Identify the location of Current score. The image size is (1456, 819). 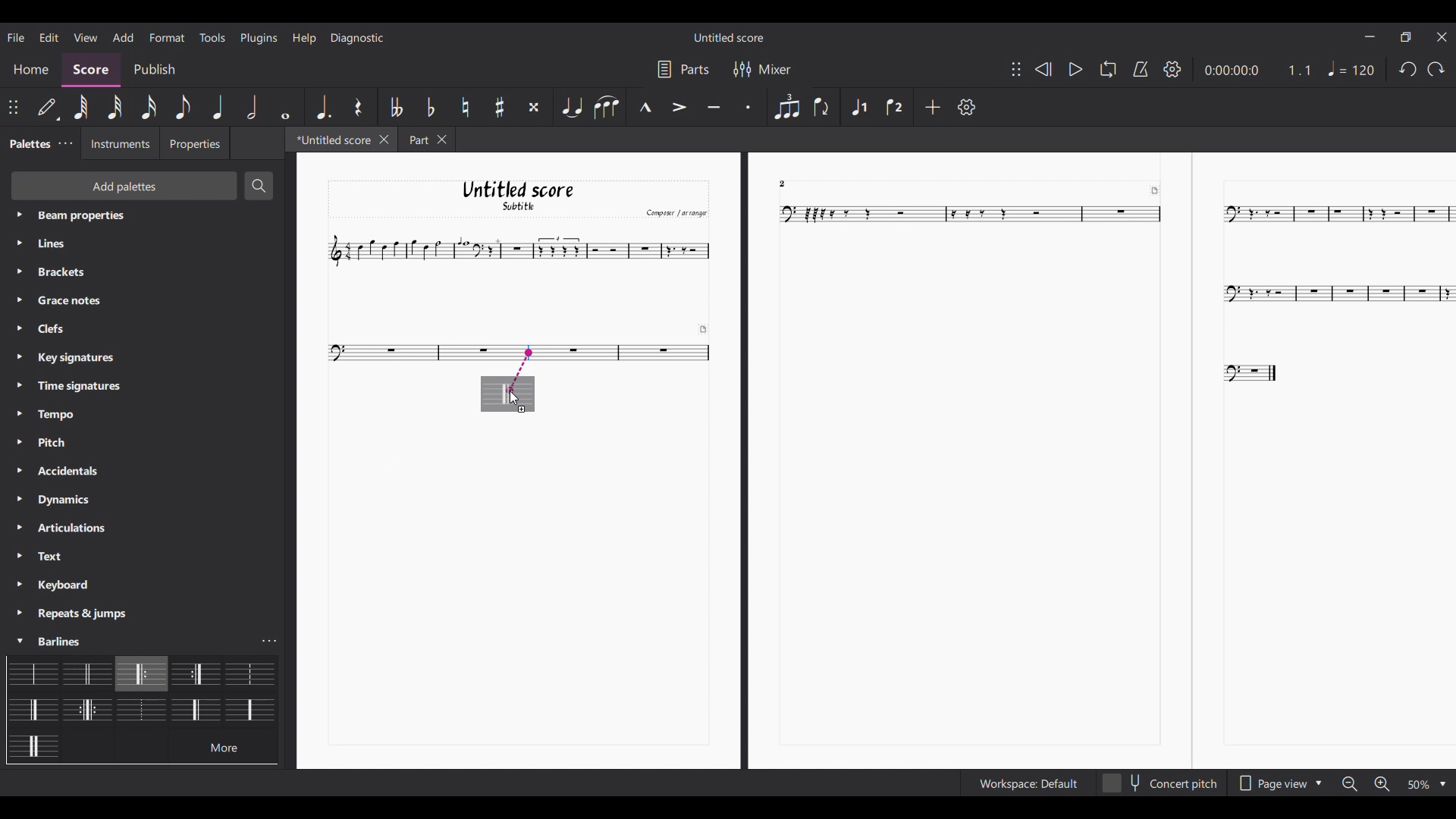
(877, 461).